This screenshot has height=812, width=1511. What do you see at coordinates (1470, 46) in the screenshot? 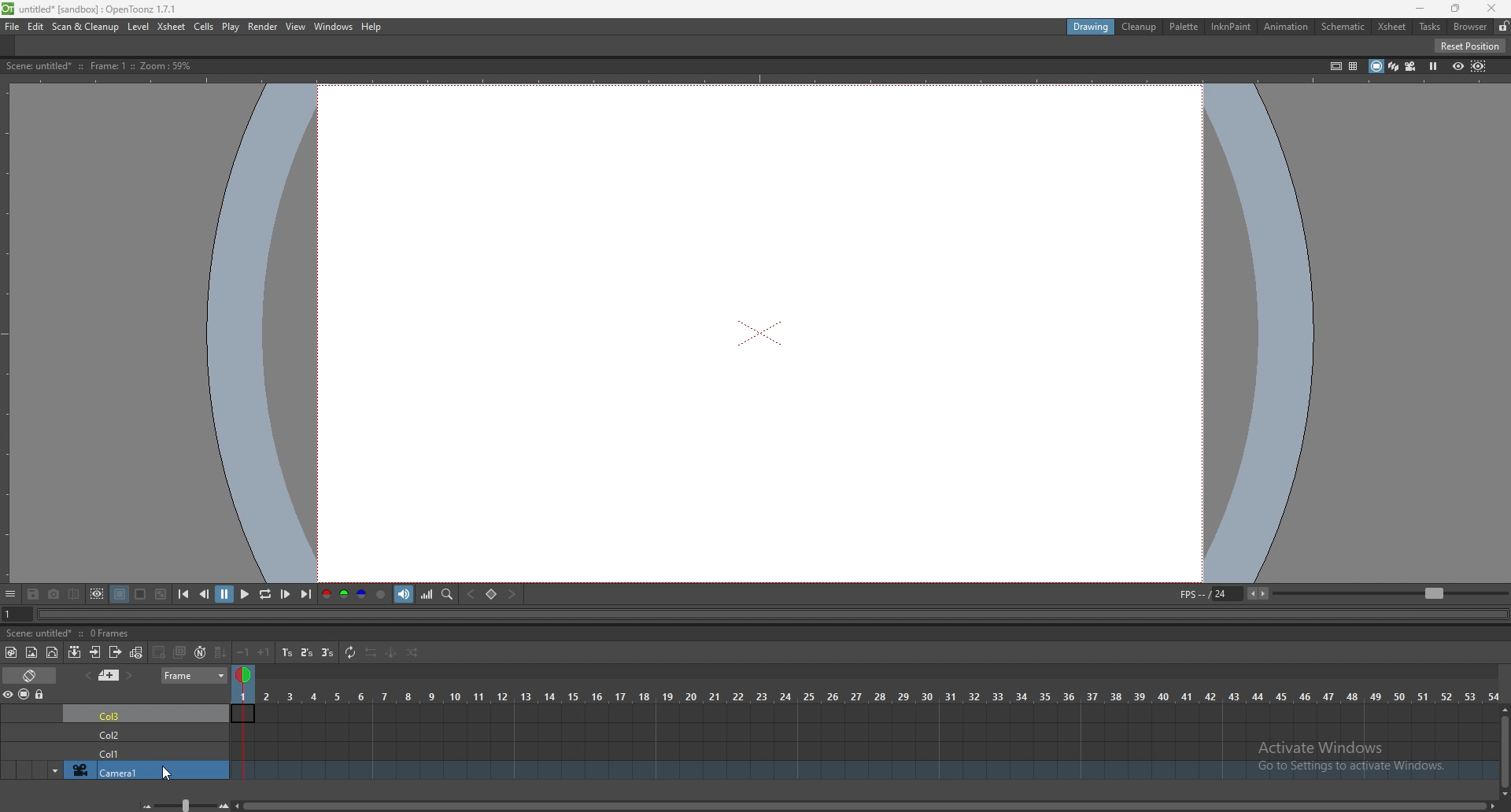
I see `reset position` at bounding box center [1470, 46].